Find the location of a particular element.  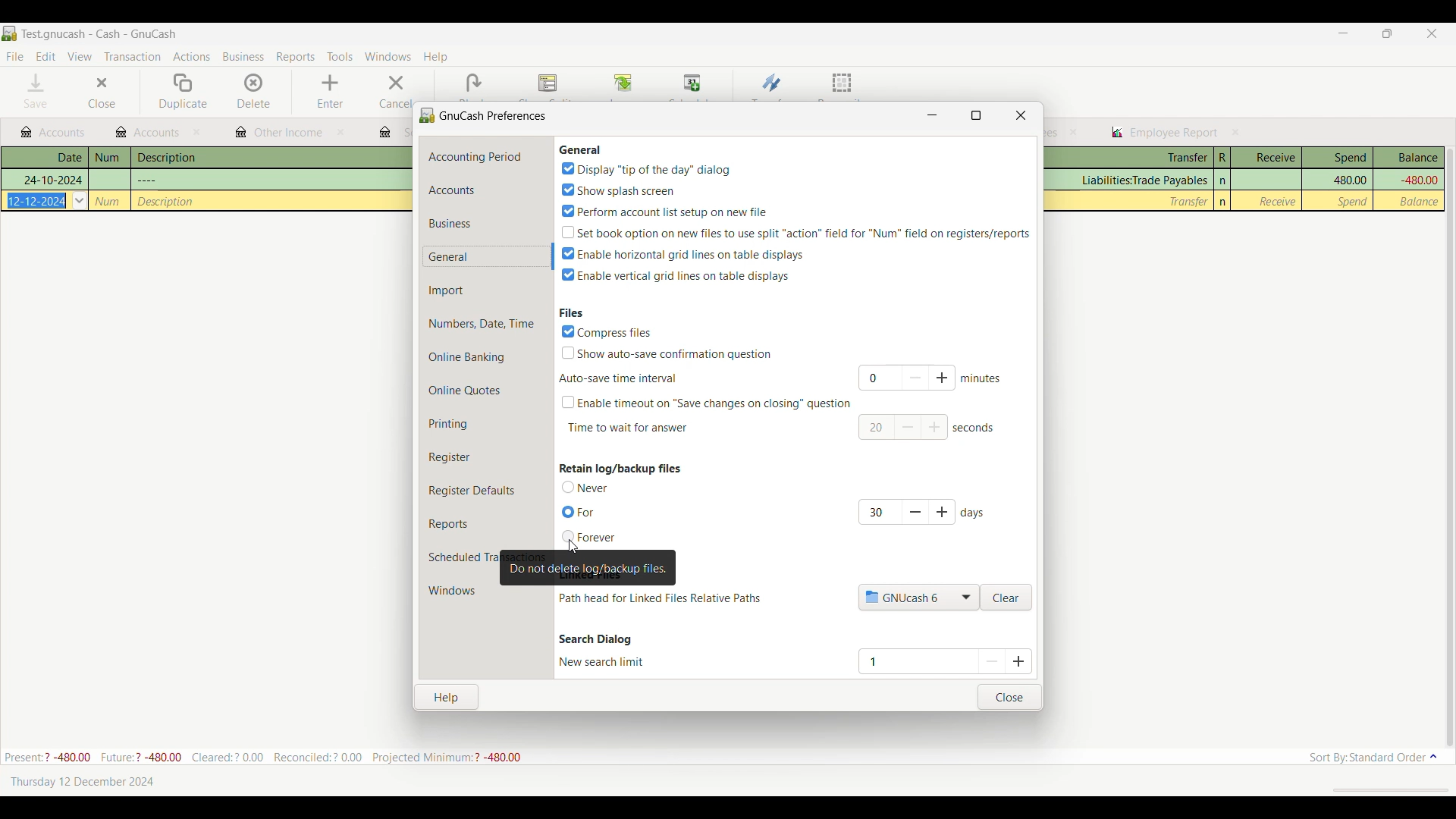

Transfer is located at coordinates (772, 83).